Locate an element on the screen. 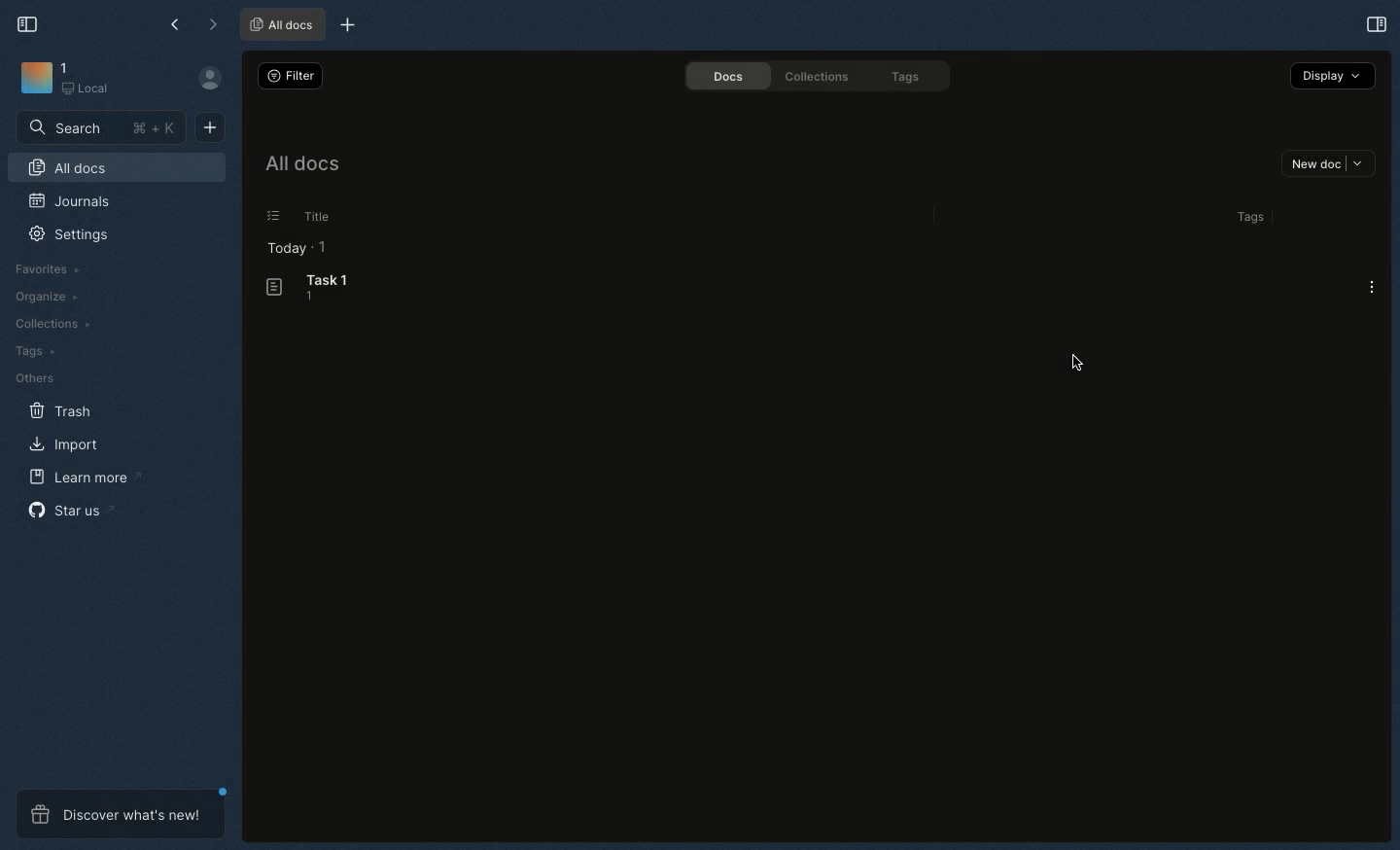  New doc is located at coordinates (208, 127).